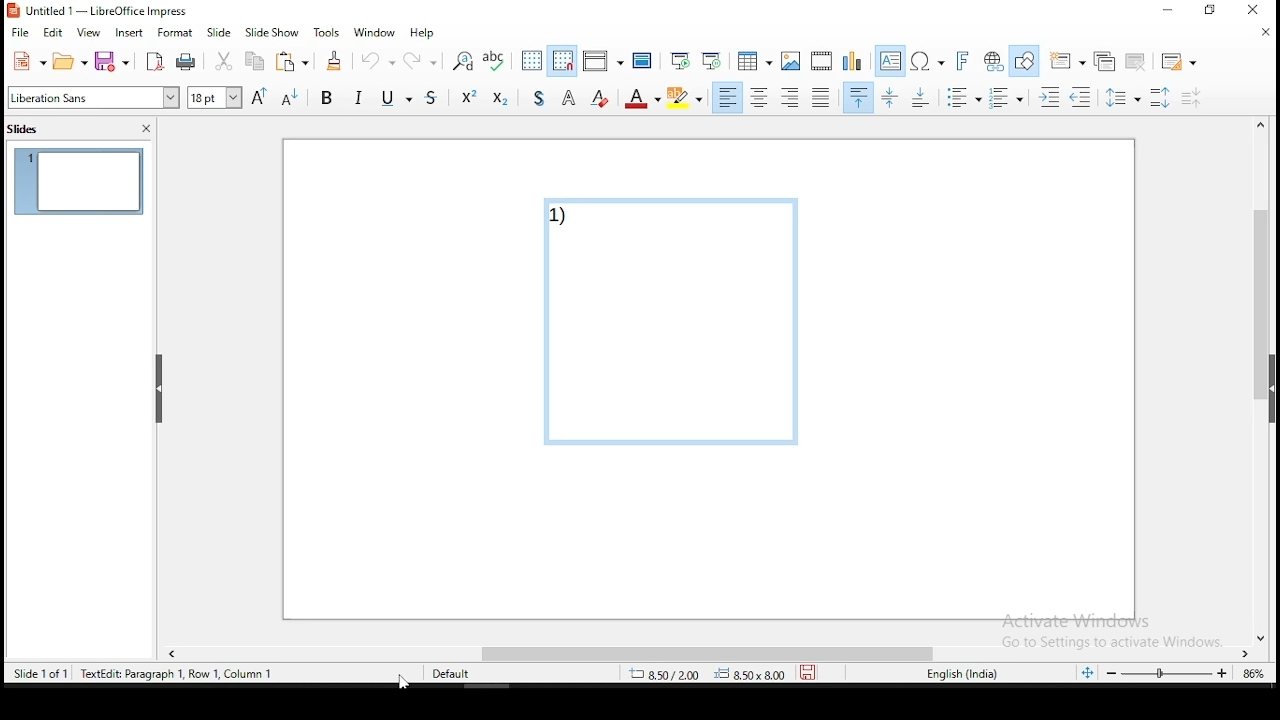  I want to click on redo, so click(423, 59).